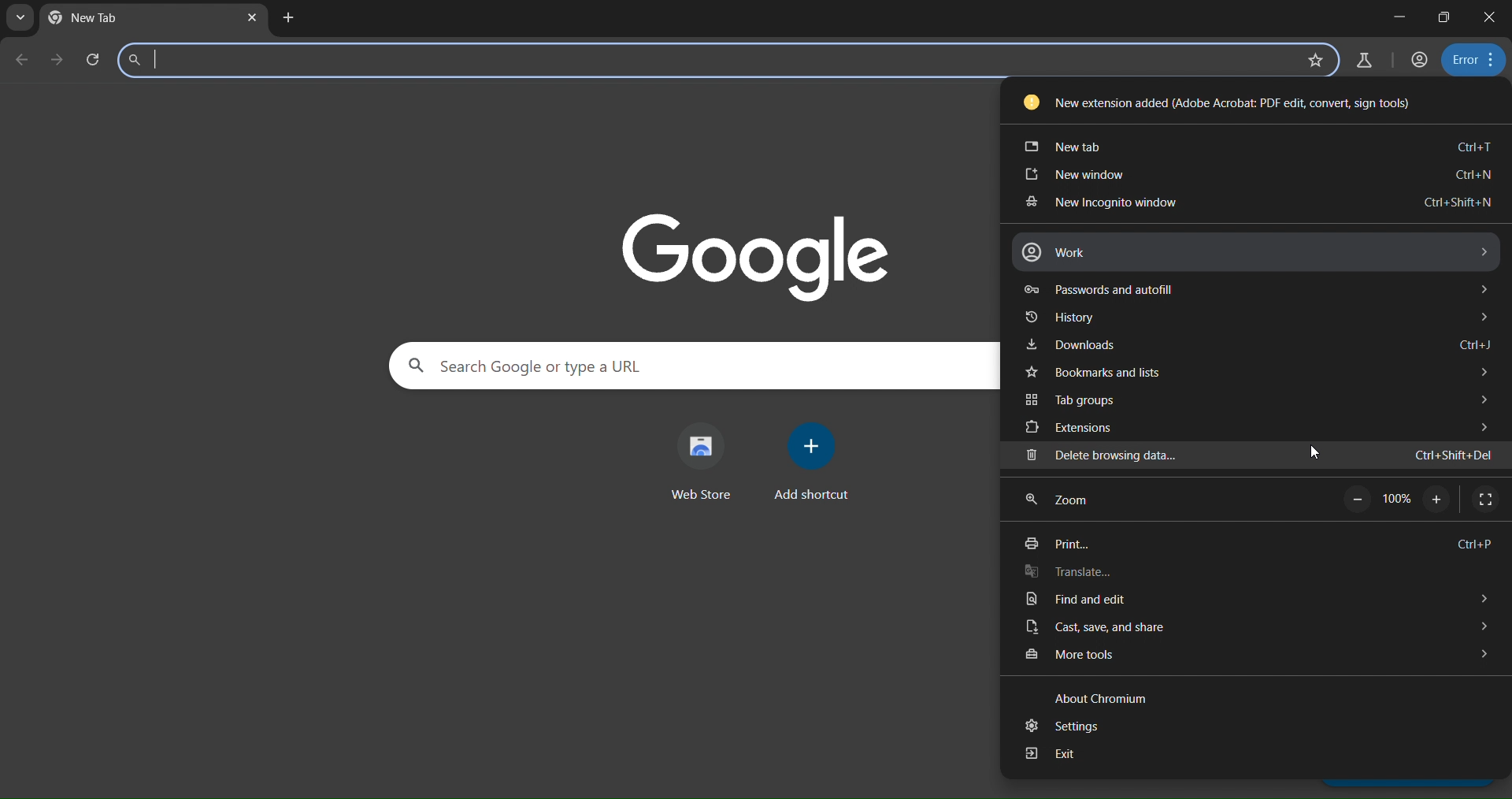 The width and height of the screenshot is (1512, 799). I want to click on web store, so click(700, 455).